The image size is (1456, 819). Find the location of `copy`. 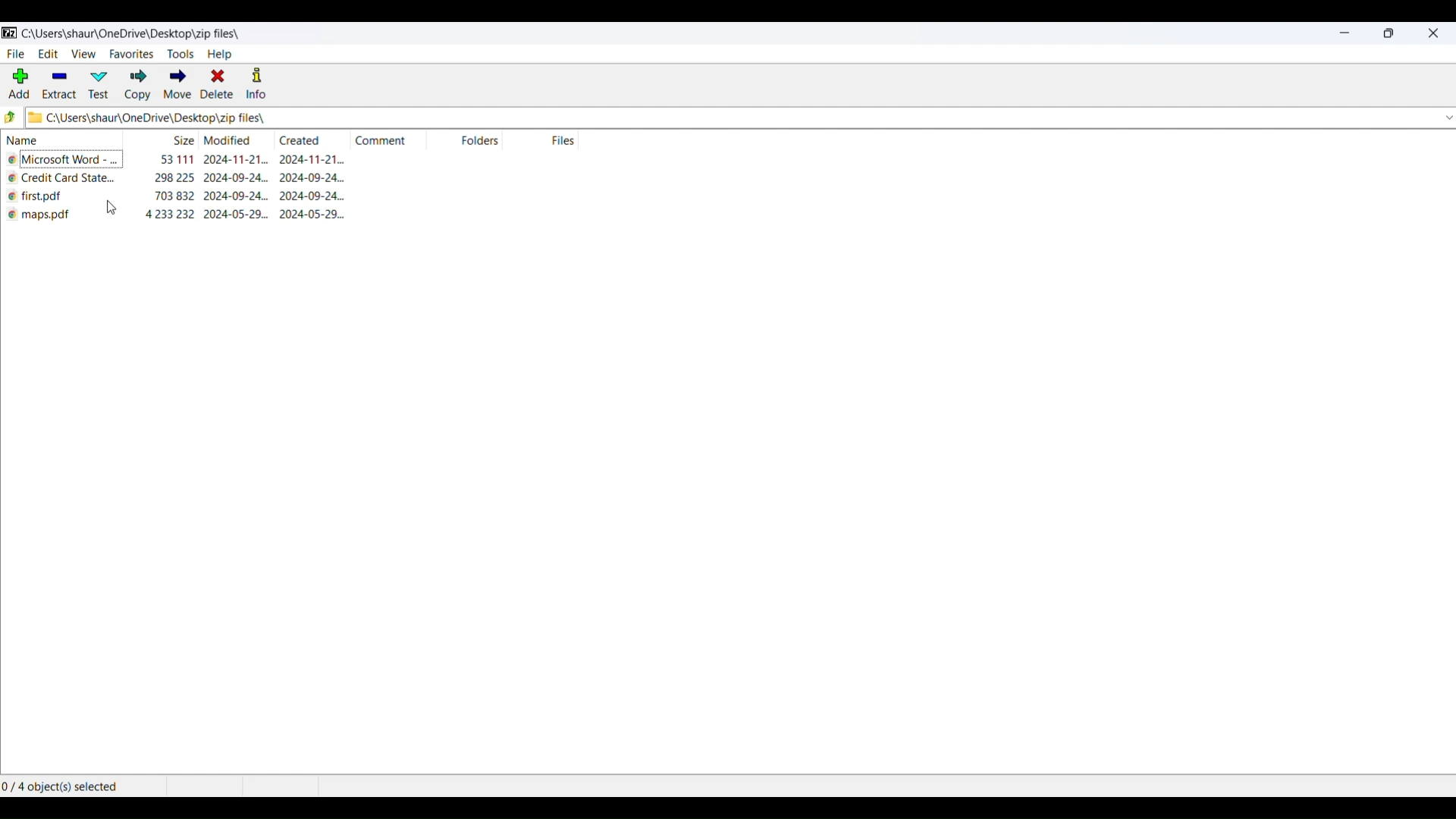

copy is located at coordinates (135, 86).